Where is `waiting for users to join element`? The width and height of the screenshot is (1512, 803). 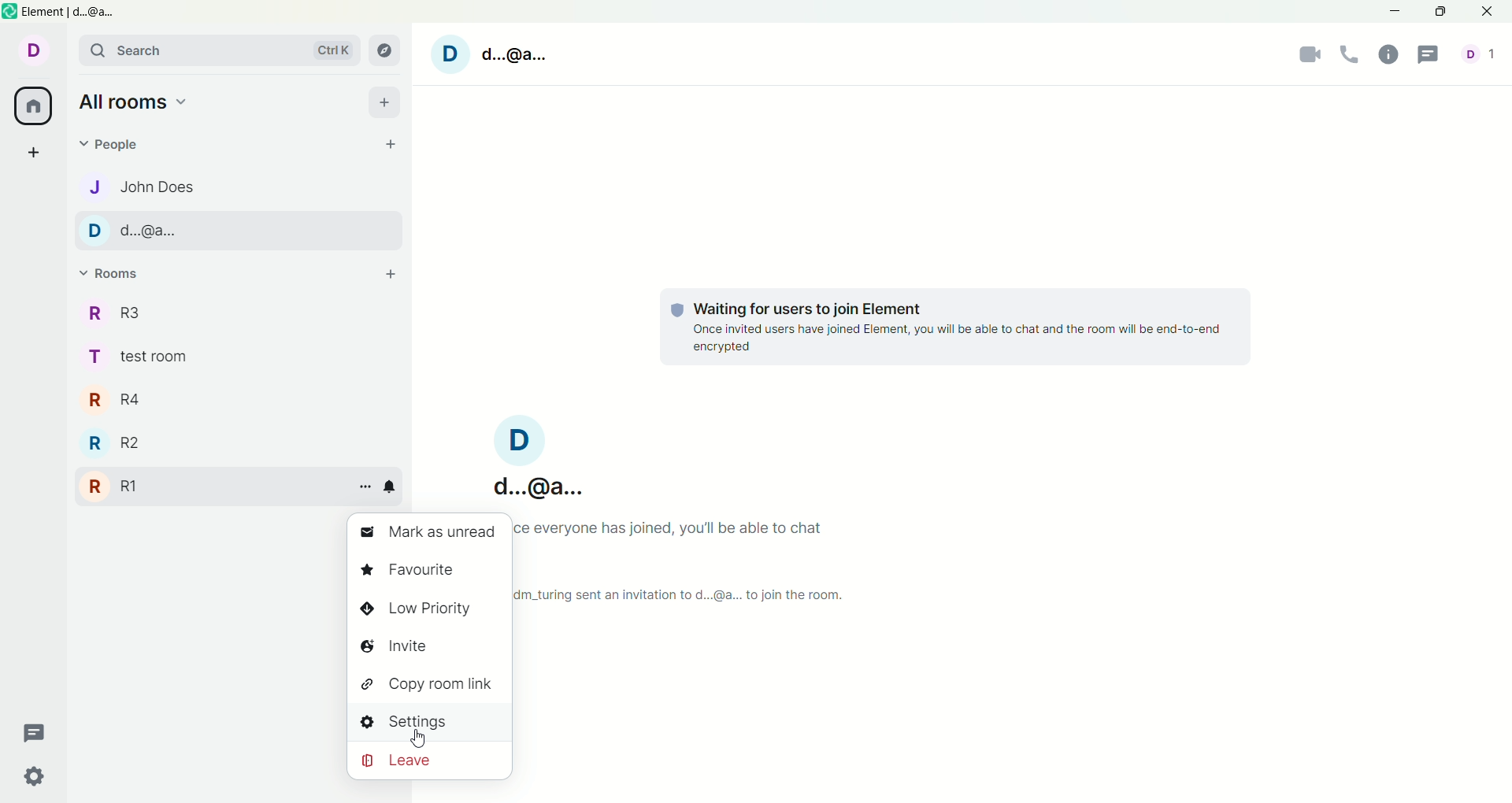
waiting for users to join element is located at coordinates (830, 308).